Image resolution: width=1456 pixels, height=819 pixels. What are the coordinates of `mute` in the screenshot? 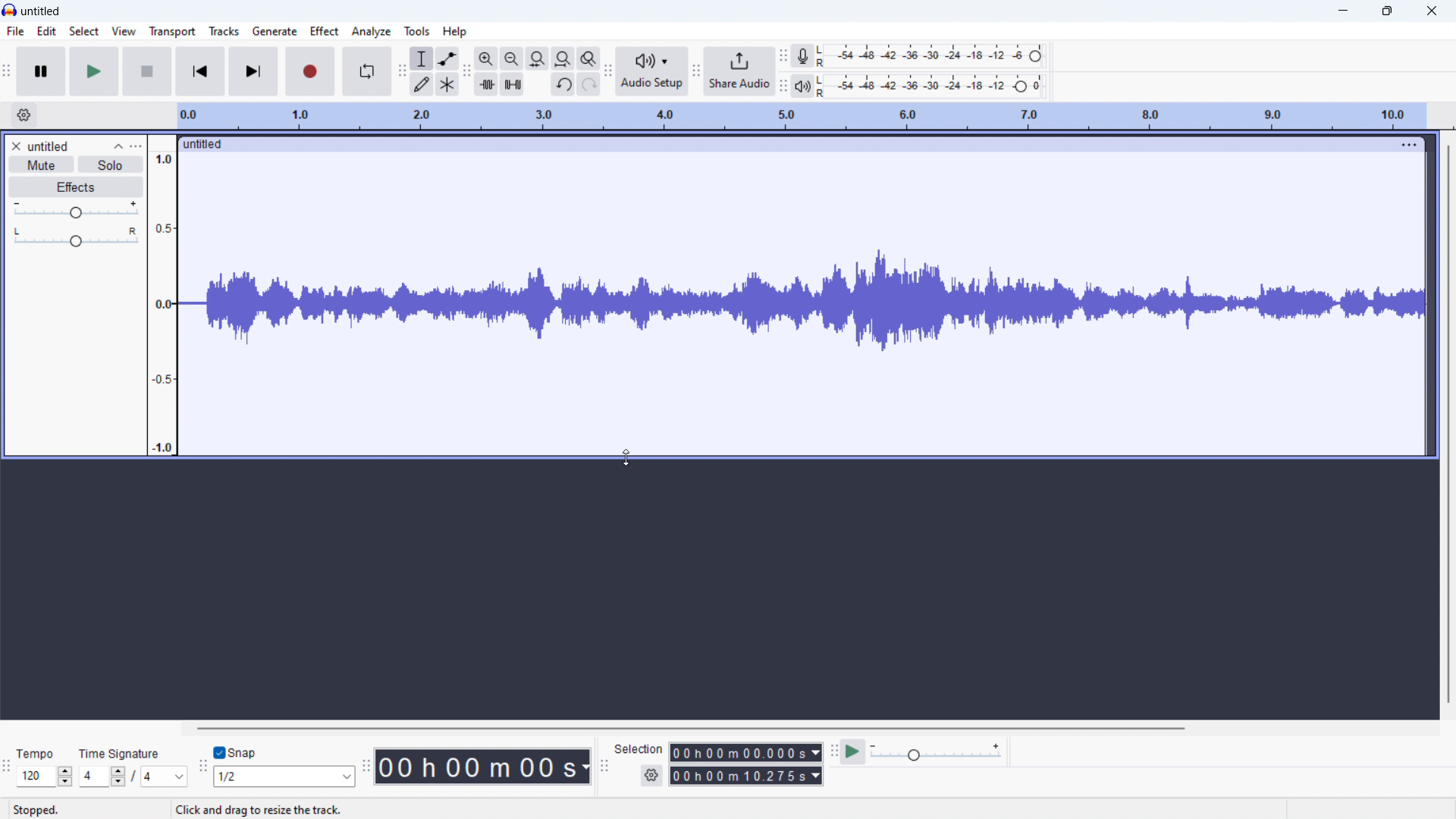 It's located at (41, 164).